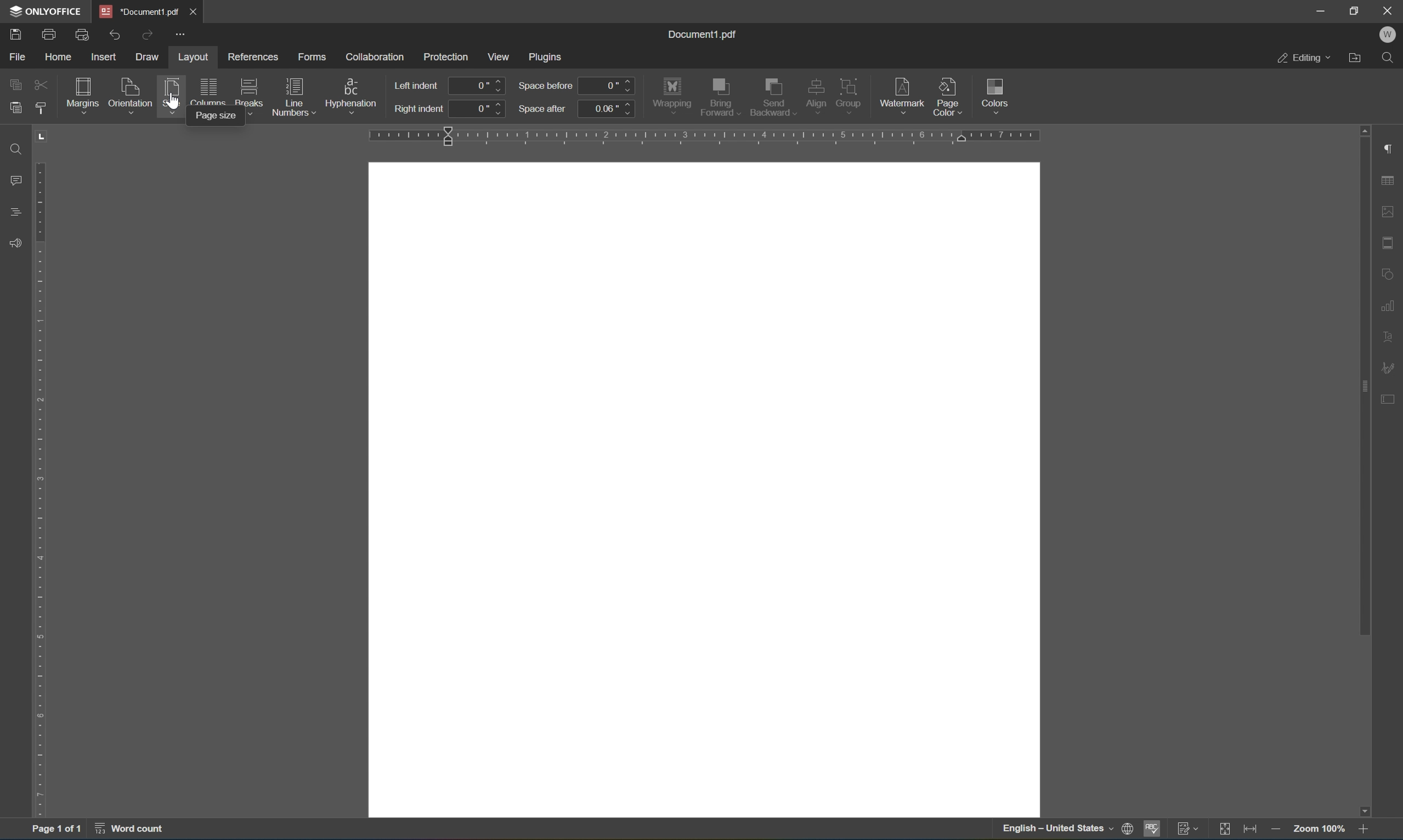 This screenshot has width=1403, height=840. Describe the element at coordinates (12, 243) in the screenshot. I see `feedback & support` at that location.